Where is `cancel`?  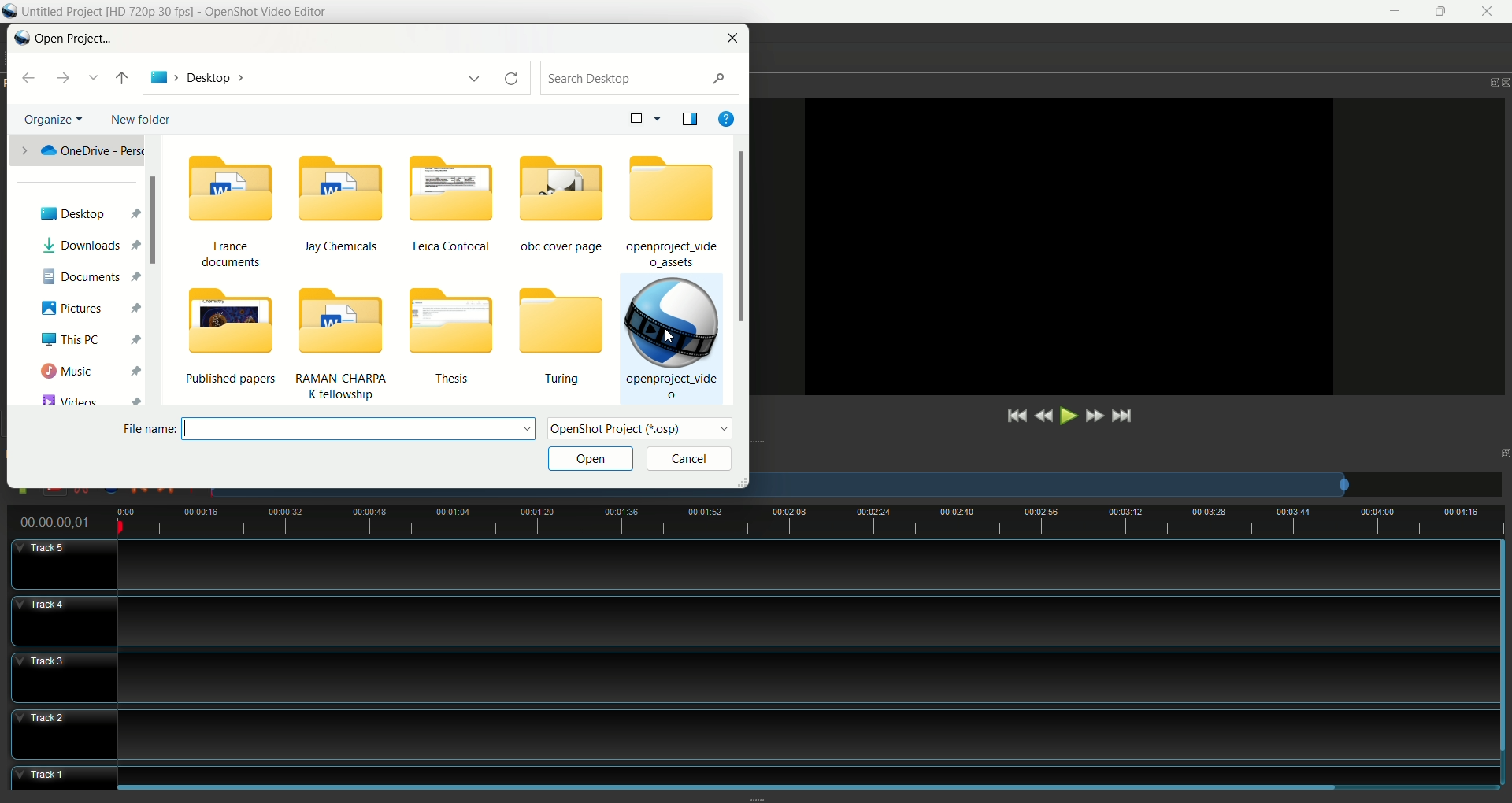 cancel is located at coordinates (688, 460).